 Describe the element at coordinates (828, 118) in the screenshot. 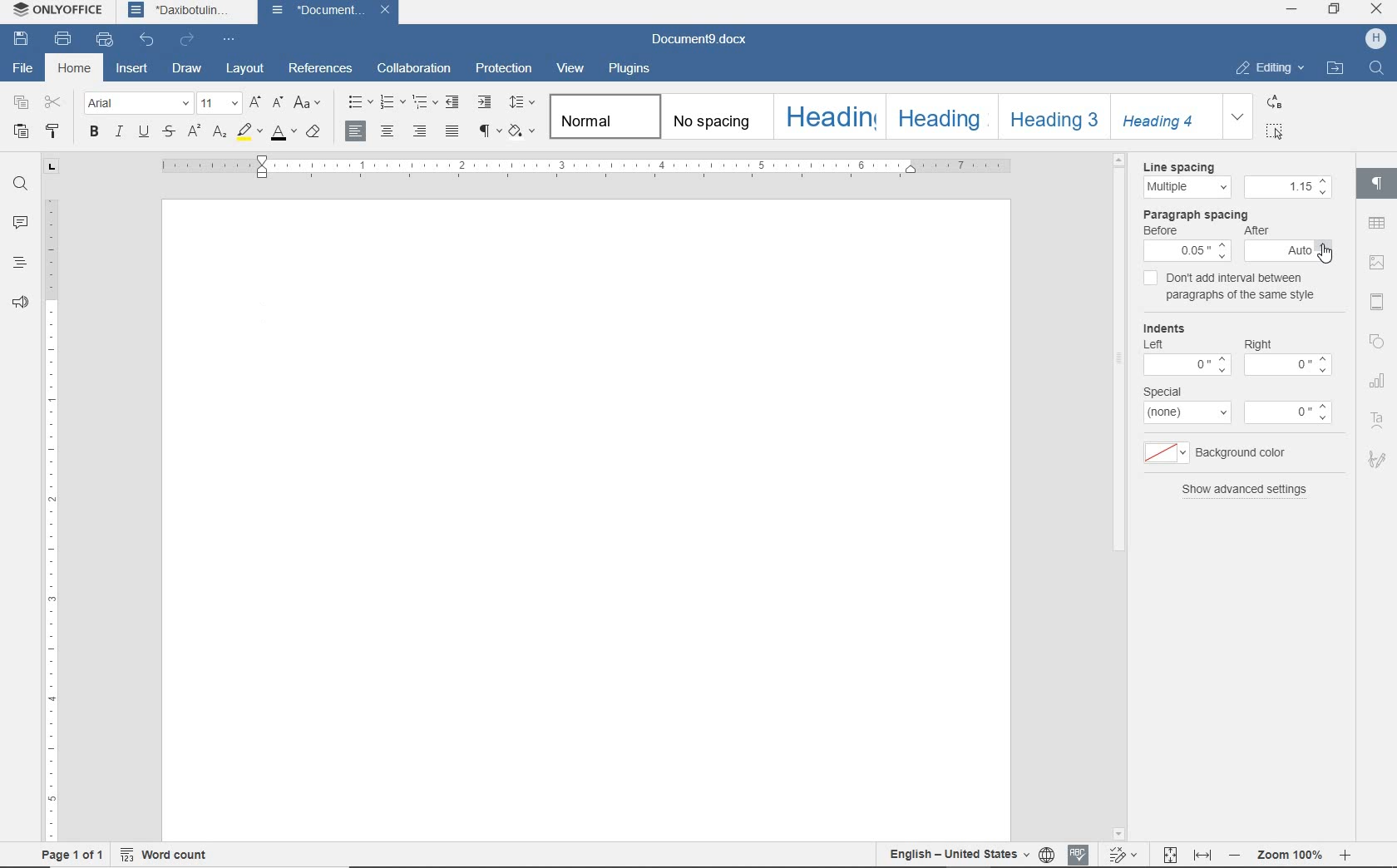

I see `heading 1` at that location.